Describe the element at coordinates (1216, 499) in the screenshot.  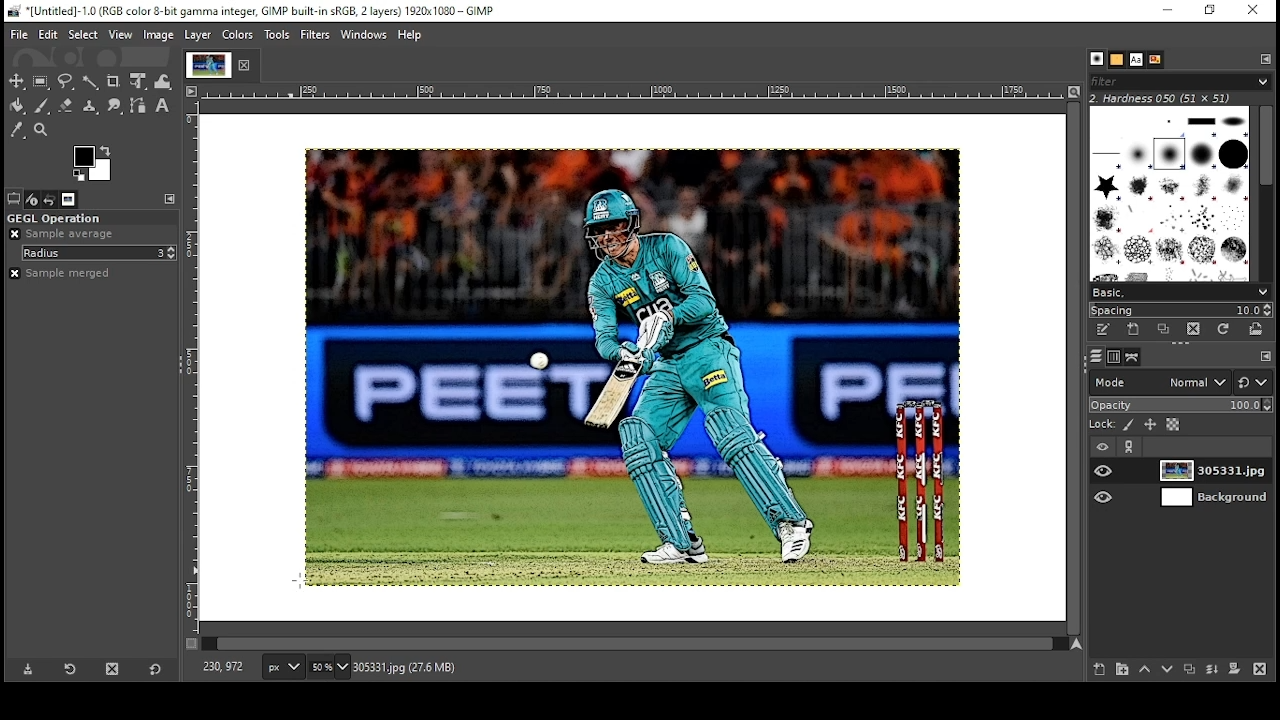
I see `layer 2` at that location.